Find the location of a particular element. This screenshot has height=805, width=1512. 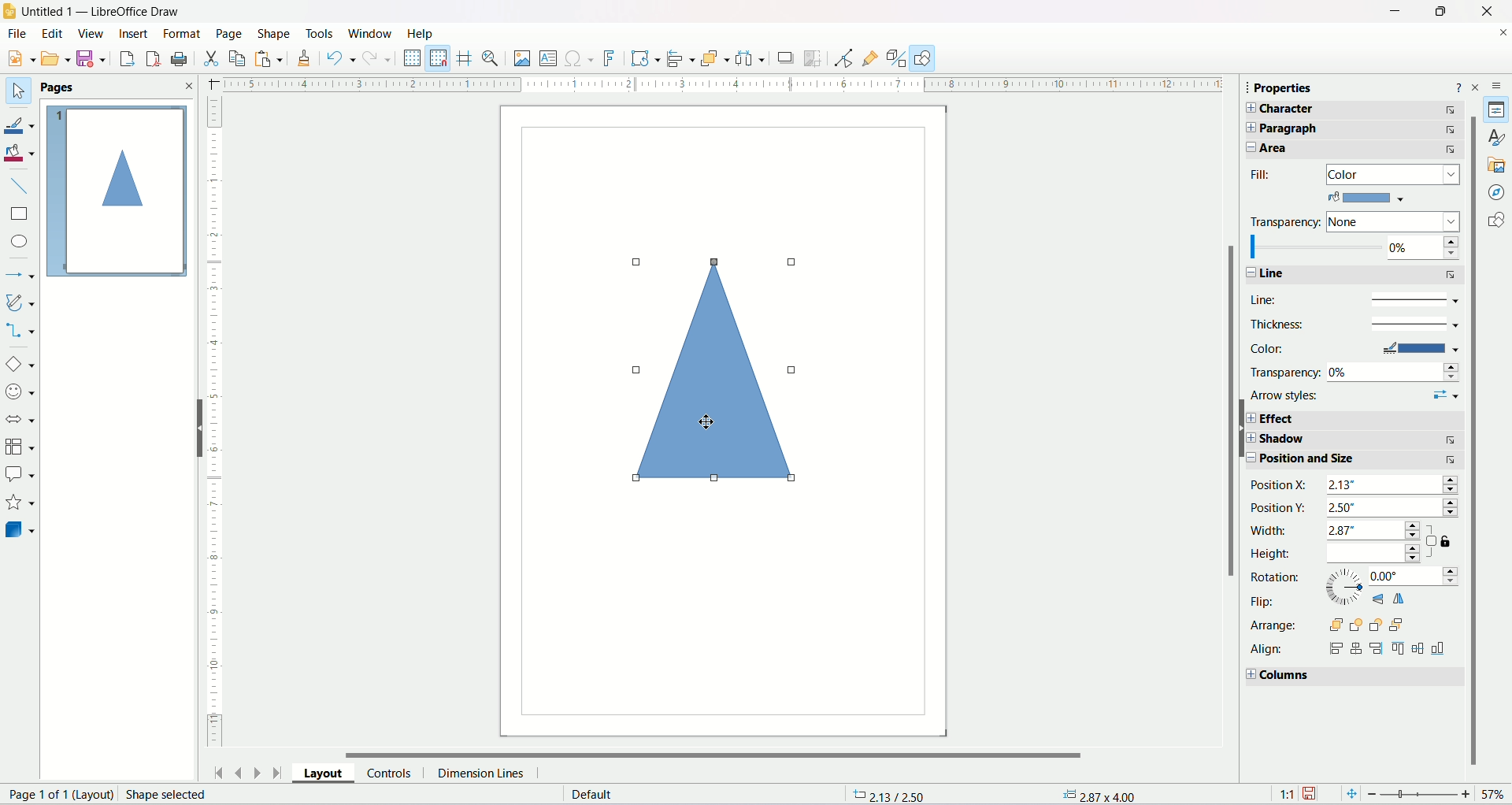

Insert special characters is located at coordinates (580, 57).